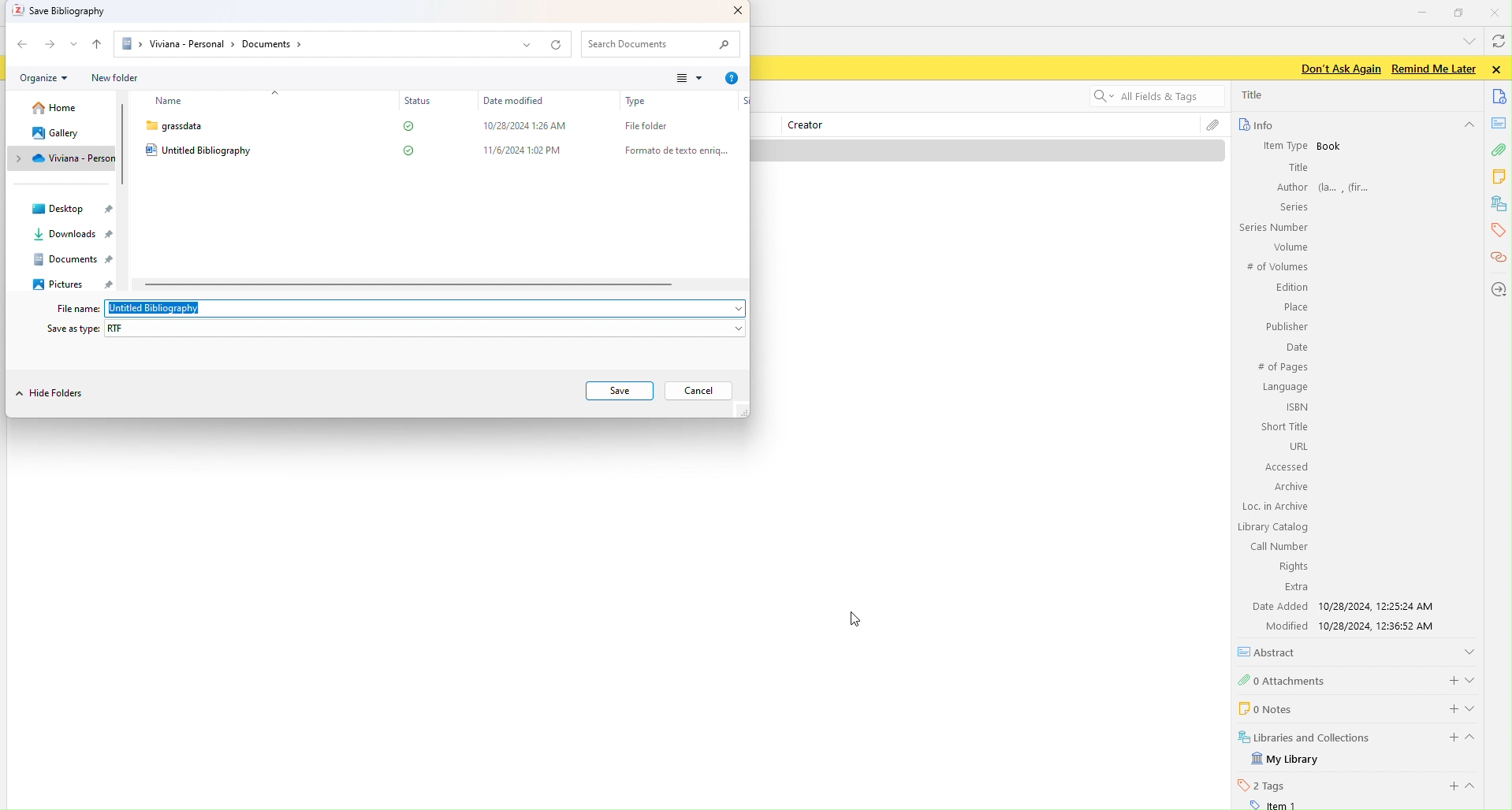  I want to click on Date modified, so click(512, 101).